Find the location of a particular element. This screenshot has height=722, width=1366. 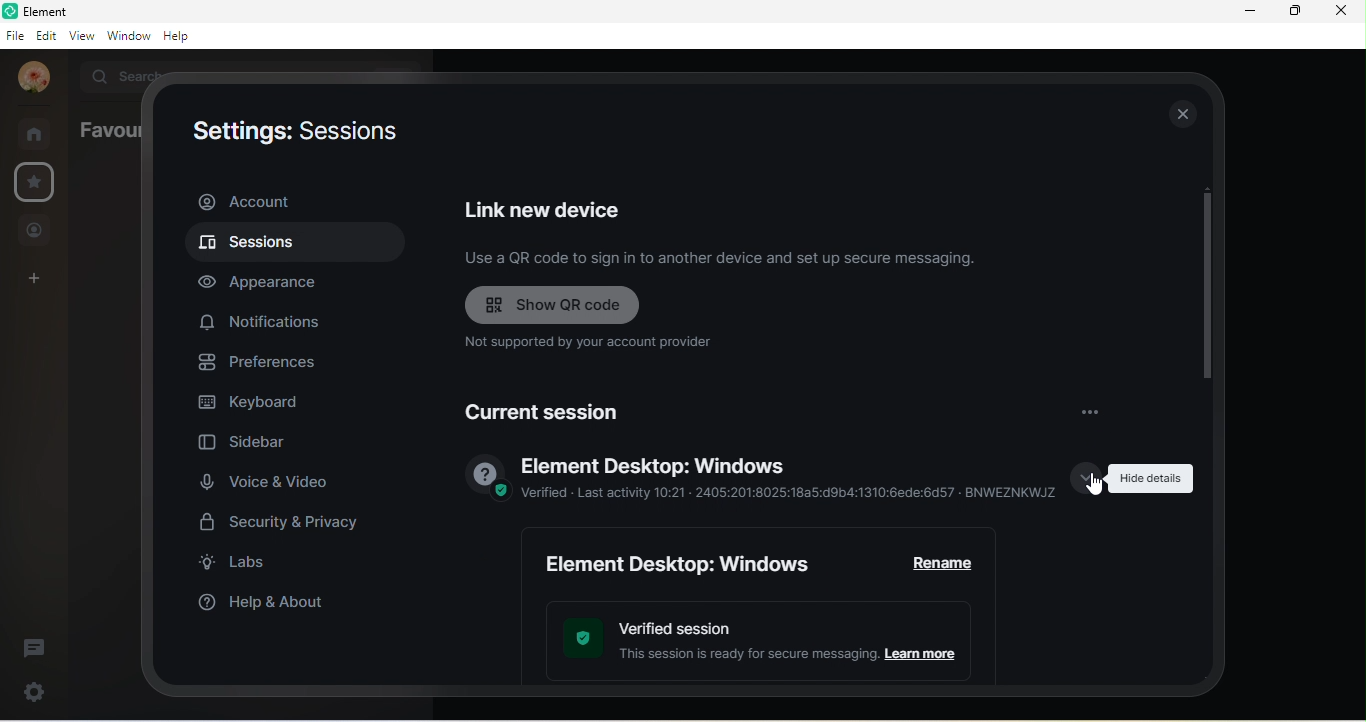

notification is located at coordinates (265, 320).